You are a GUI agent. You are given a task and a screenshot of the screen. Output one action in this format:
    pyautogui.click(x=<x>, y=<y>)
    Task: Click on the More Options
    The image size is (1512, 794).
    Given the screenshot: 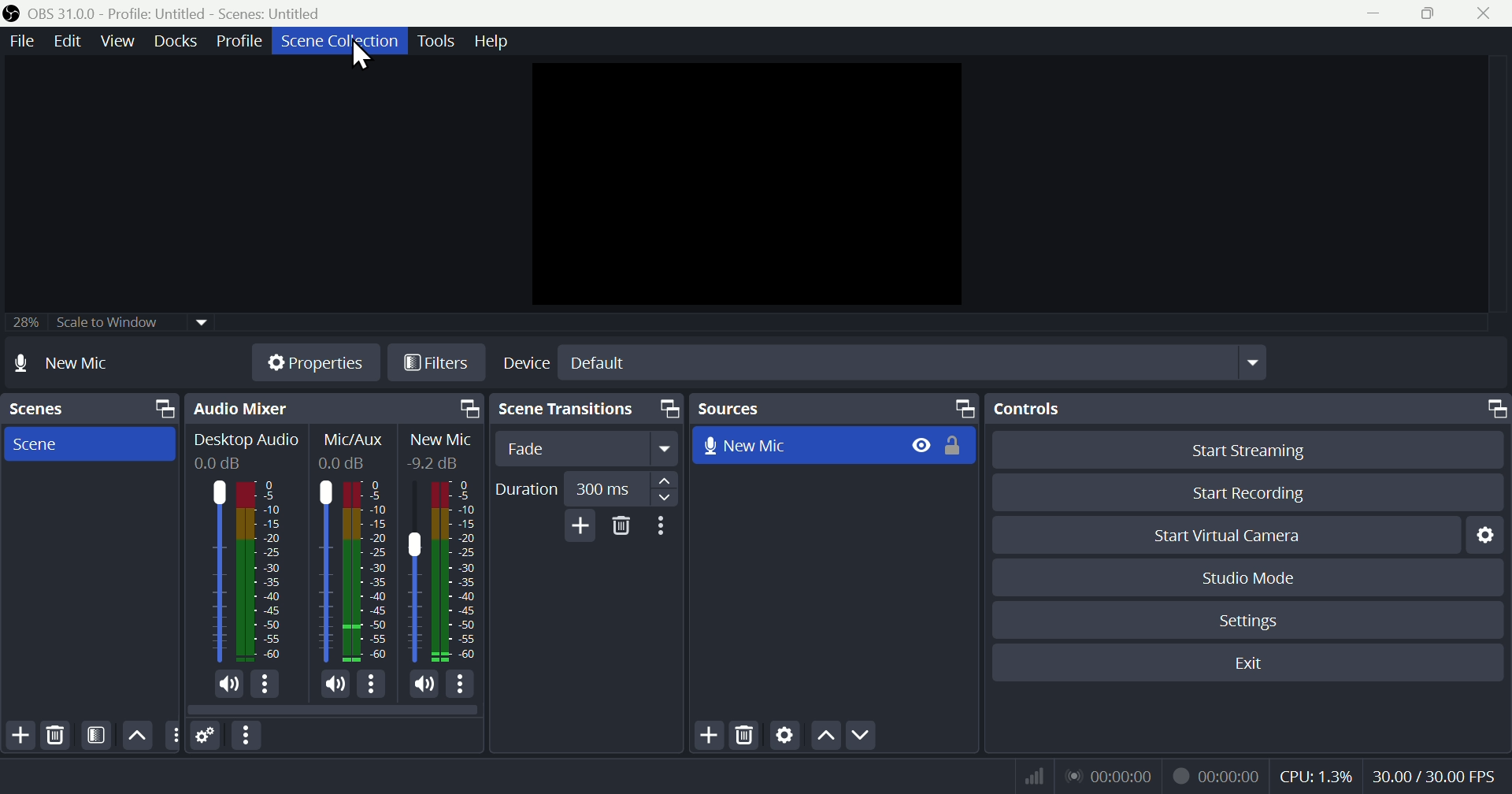 What is the action you would take?
    pyautogui.click(x=373, y=684)
    